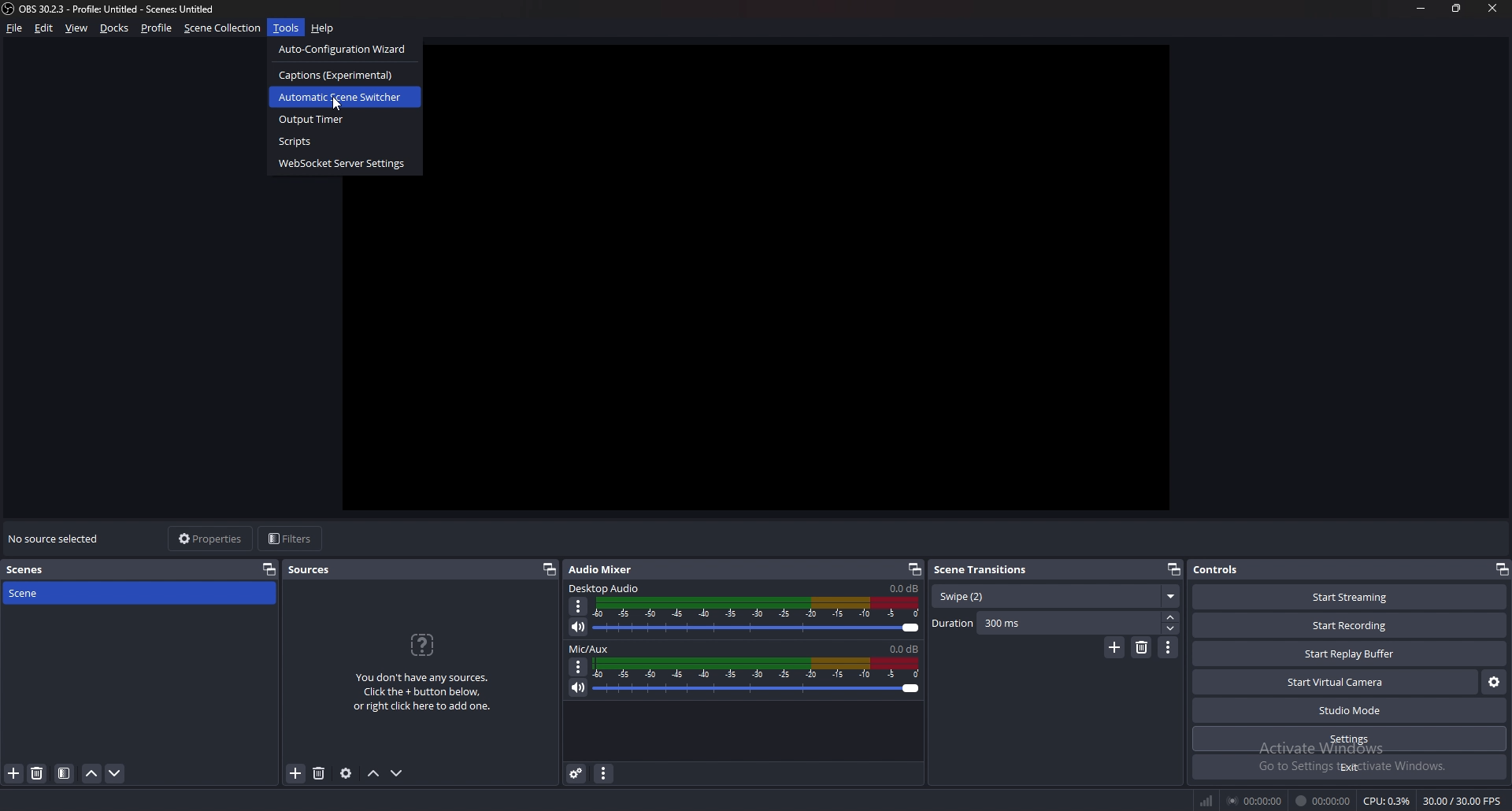 The image size is (1512, 811). Describe the element at coordinates (1208, 800) in the screenshot. I see `network` at that location.